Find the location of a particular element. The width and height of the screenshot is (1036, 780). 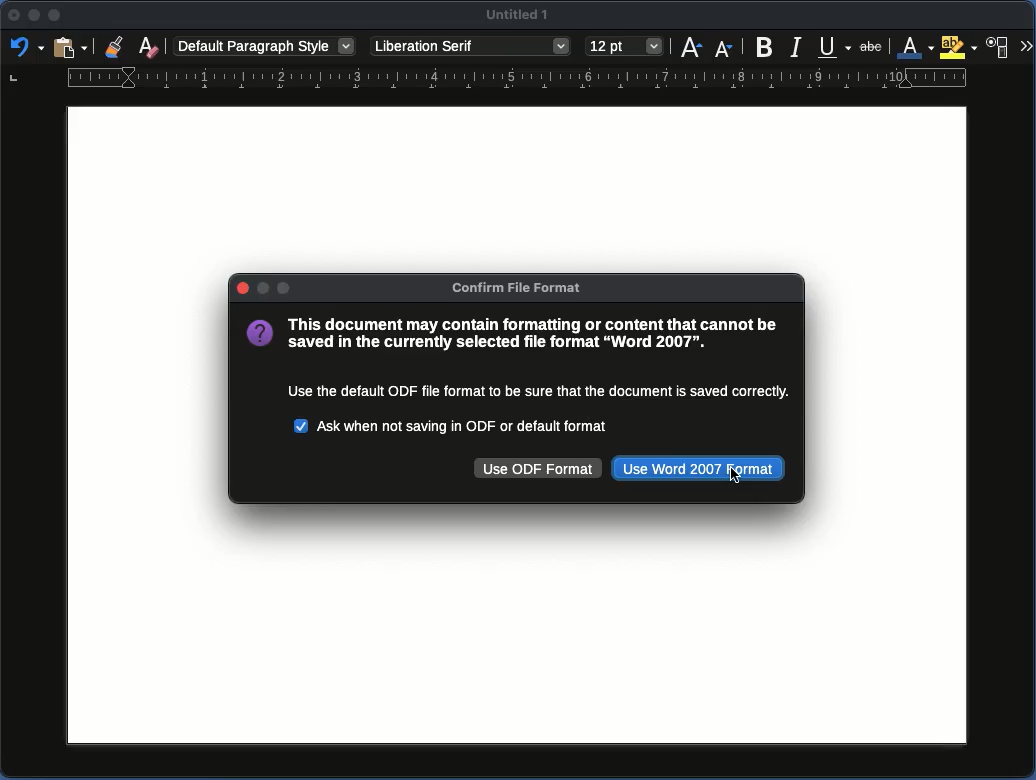

Size decrease is located at coordinates (724, 46).